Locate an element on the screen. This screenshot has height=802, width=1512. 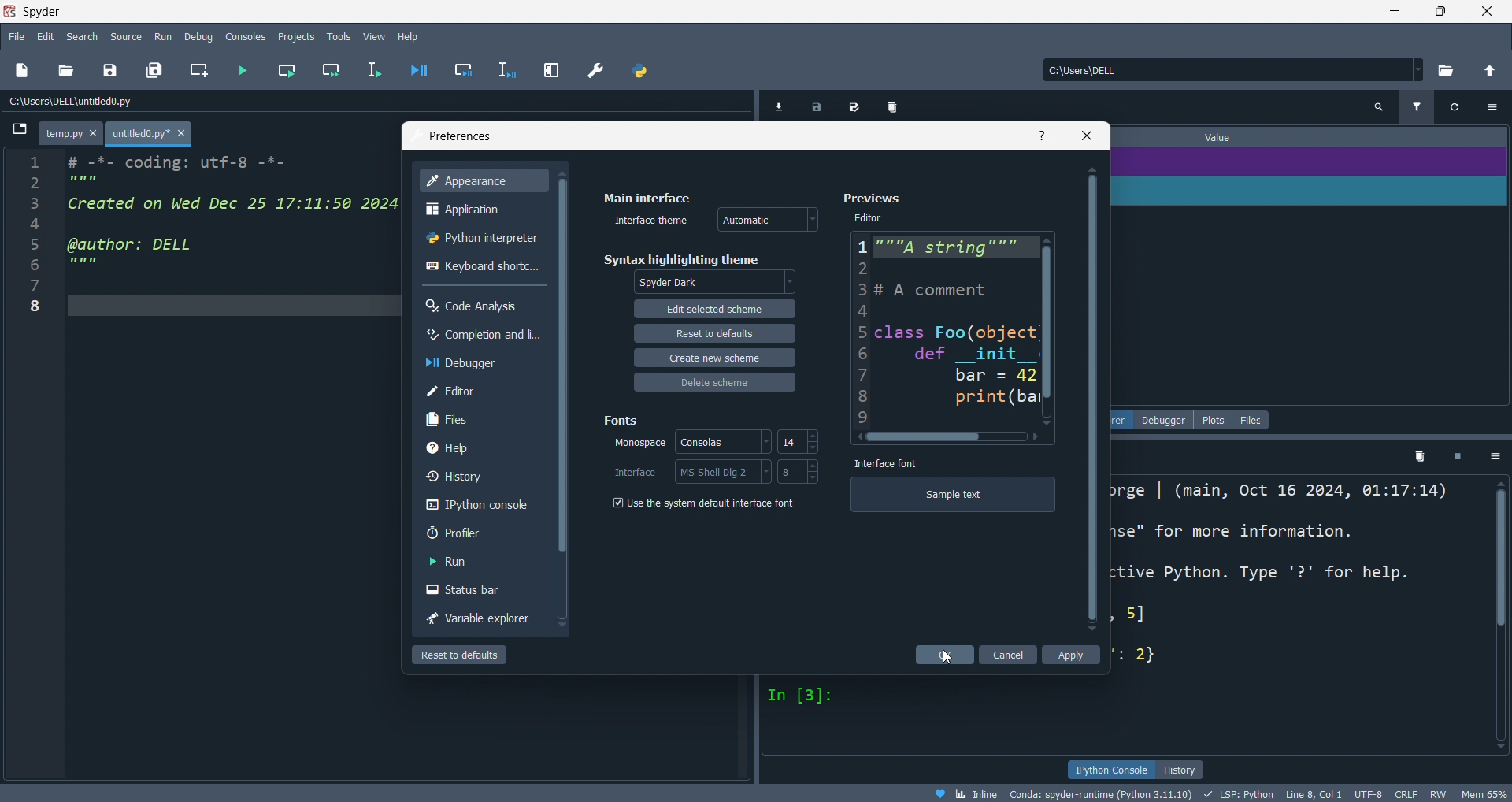
minimize is located at coordinates (1396, 14).